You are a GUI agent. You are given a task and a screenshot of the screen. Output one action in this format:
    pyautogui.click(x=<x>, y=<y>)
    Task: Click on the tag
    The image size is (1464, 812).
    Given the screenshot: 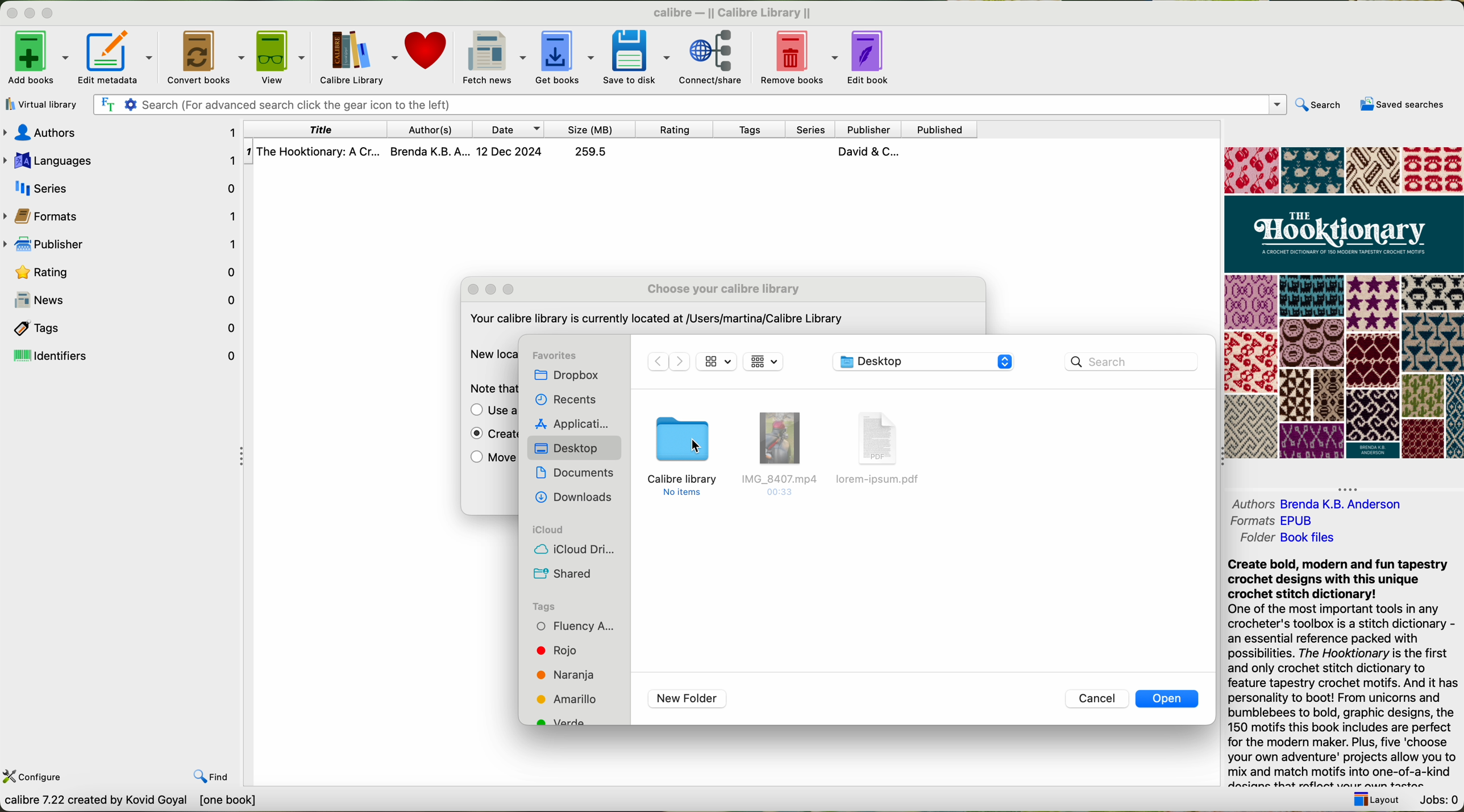 What is the action you would take?
    pyautogui.click(x=567, y=719)
    